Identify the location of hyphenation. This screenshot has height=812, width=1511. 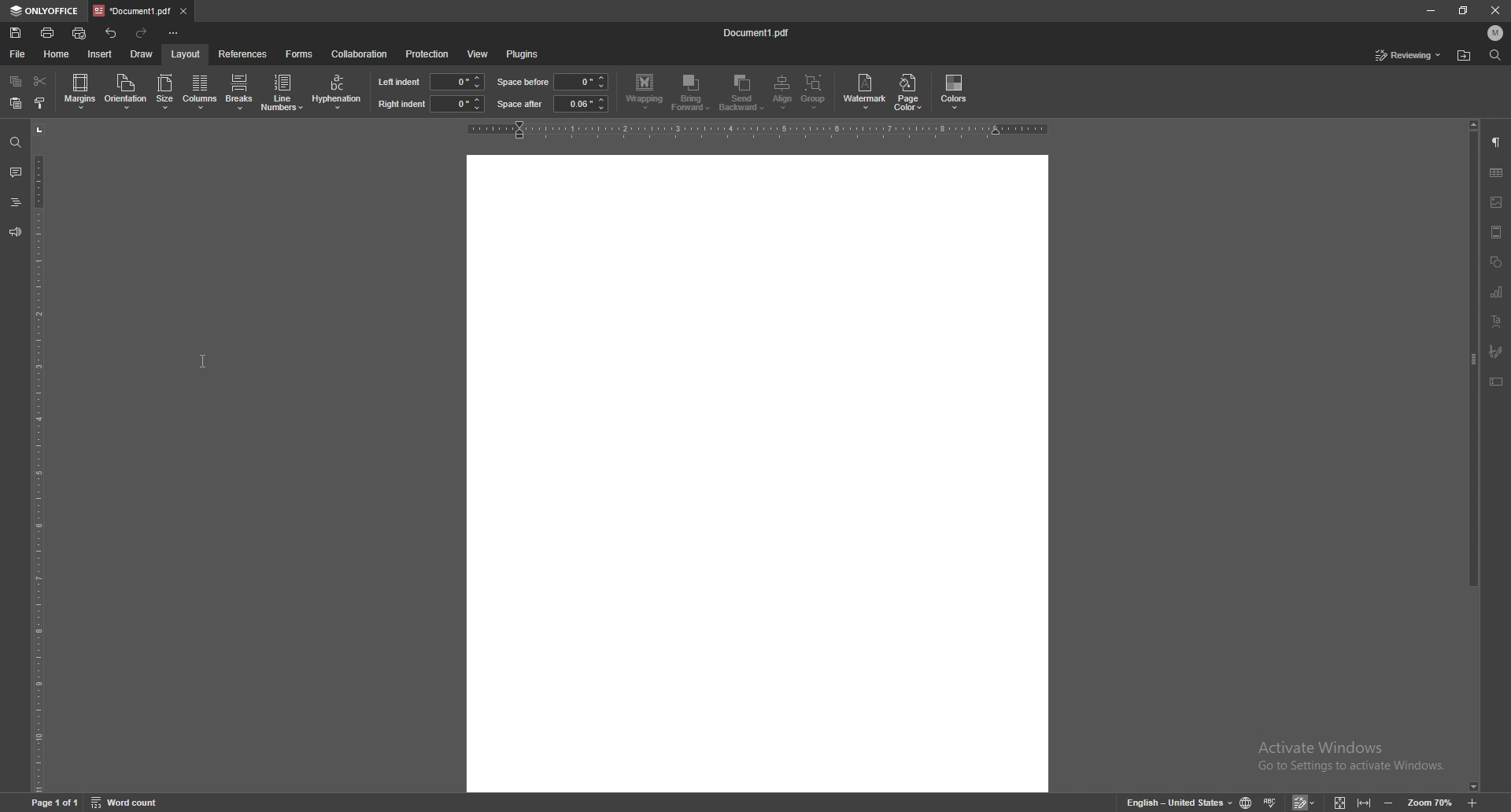
(337, 92).